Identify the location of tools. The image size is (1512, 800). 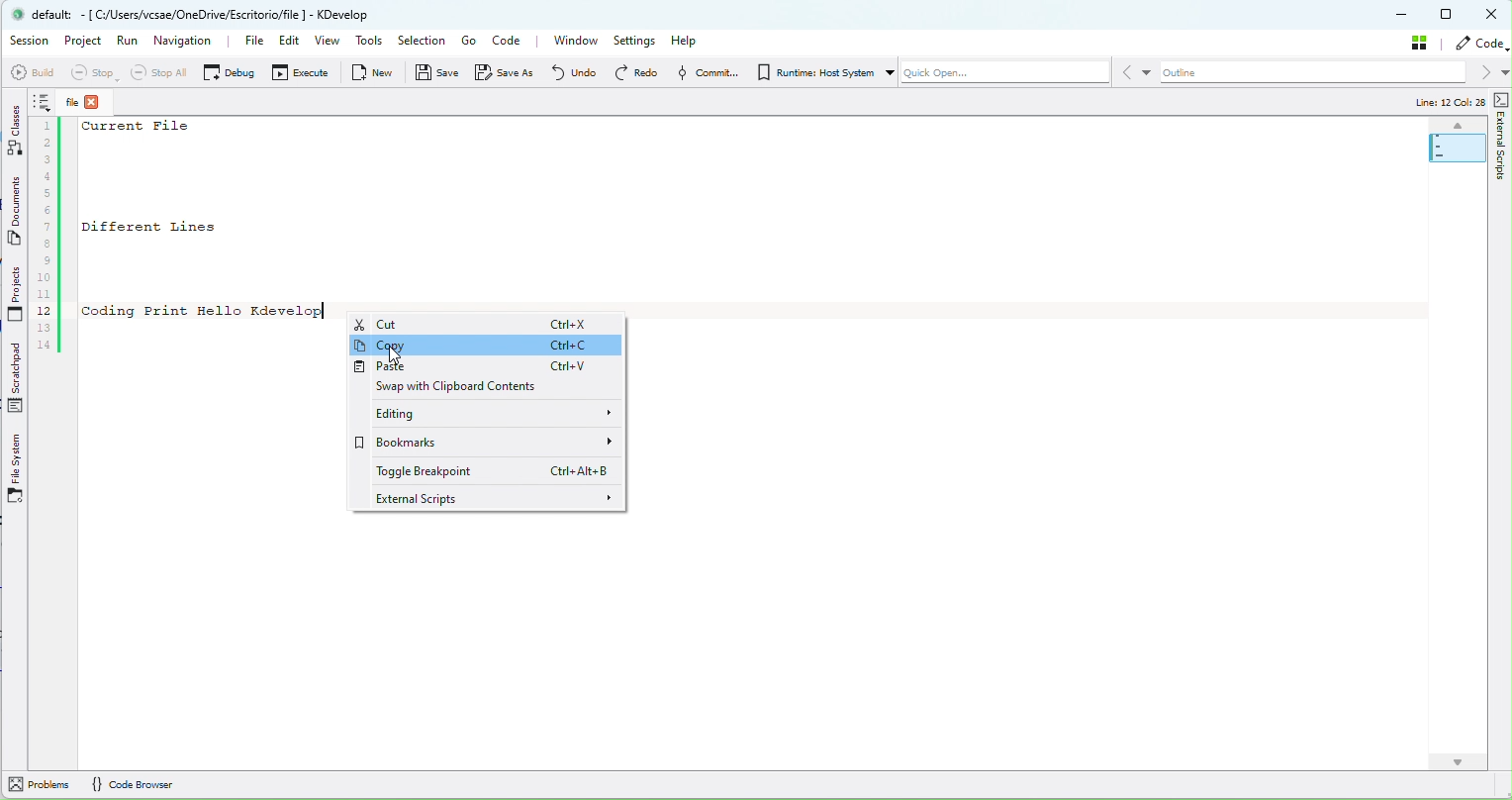
(370, 43).